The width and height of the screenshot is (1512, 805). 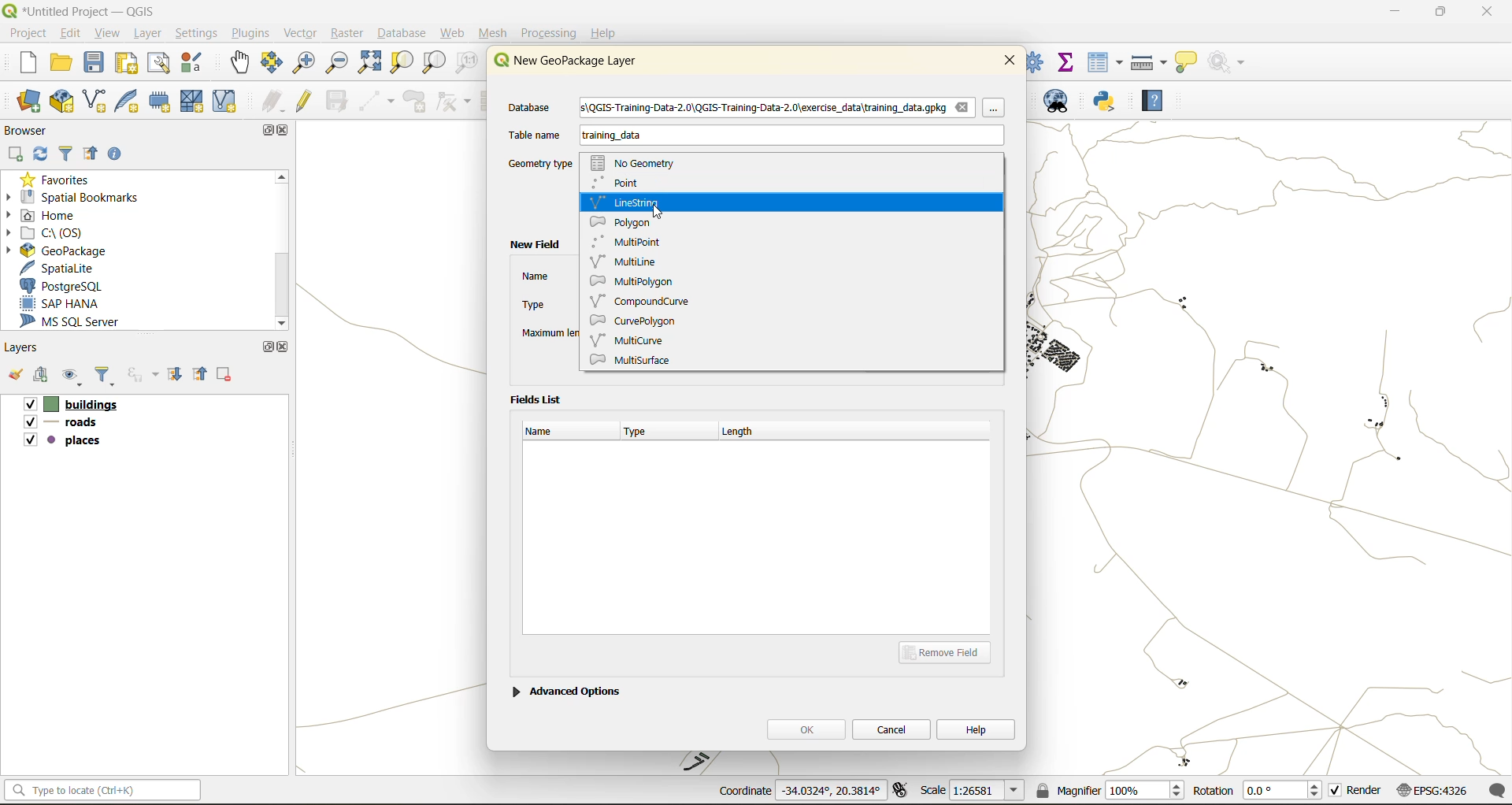 I want to click on type, so click(x=643, y=433).